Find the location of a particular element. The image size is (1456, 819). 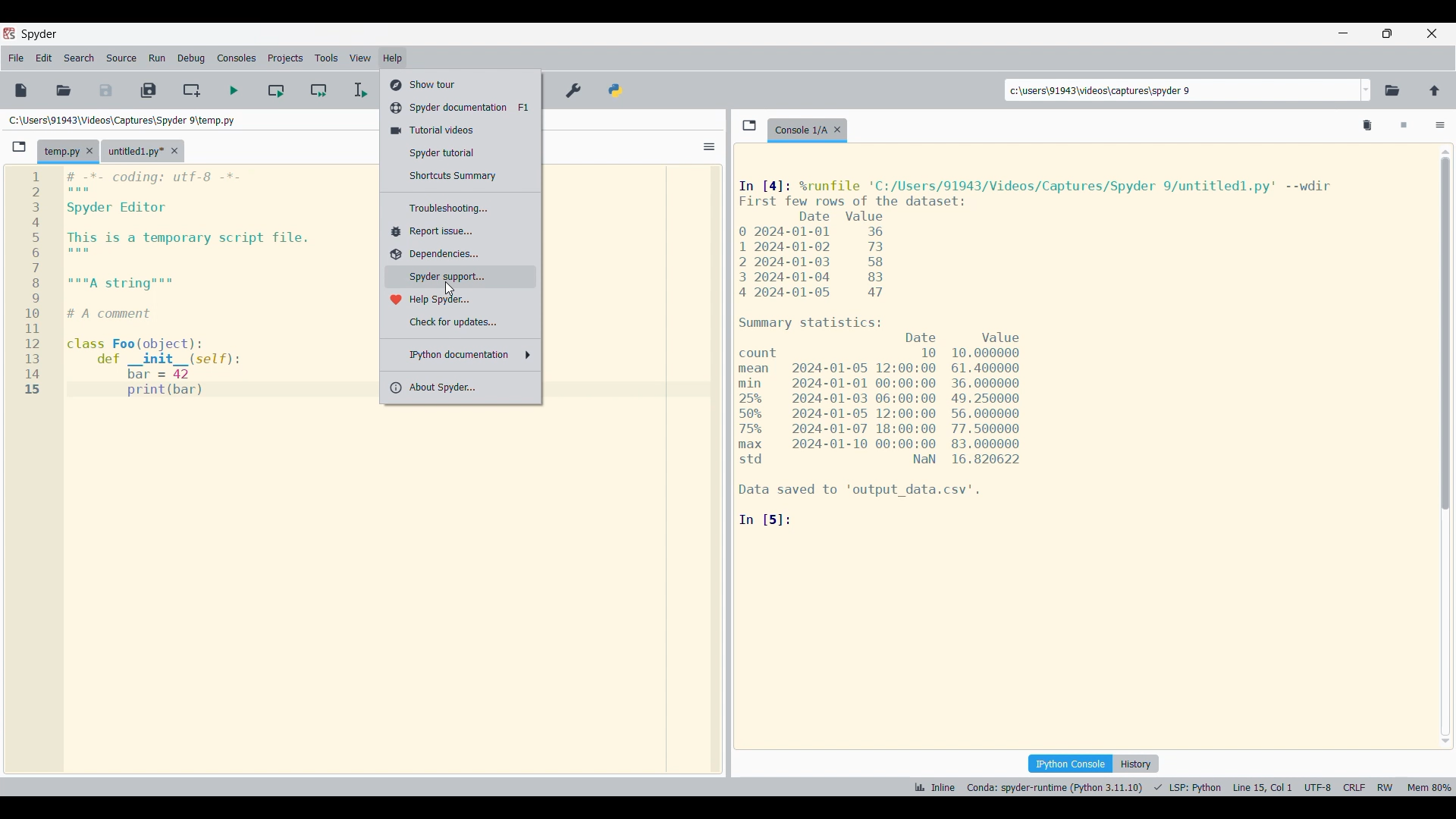

cursor is located at coordinates (447, 290).